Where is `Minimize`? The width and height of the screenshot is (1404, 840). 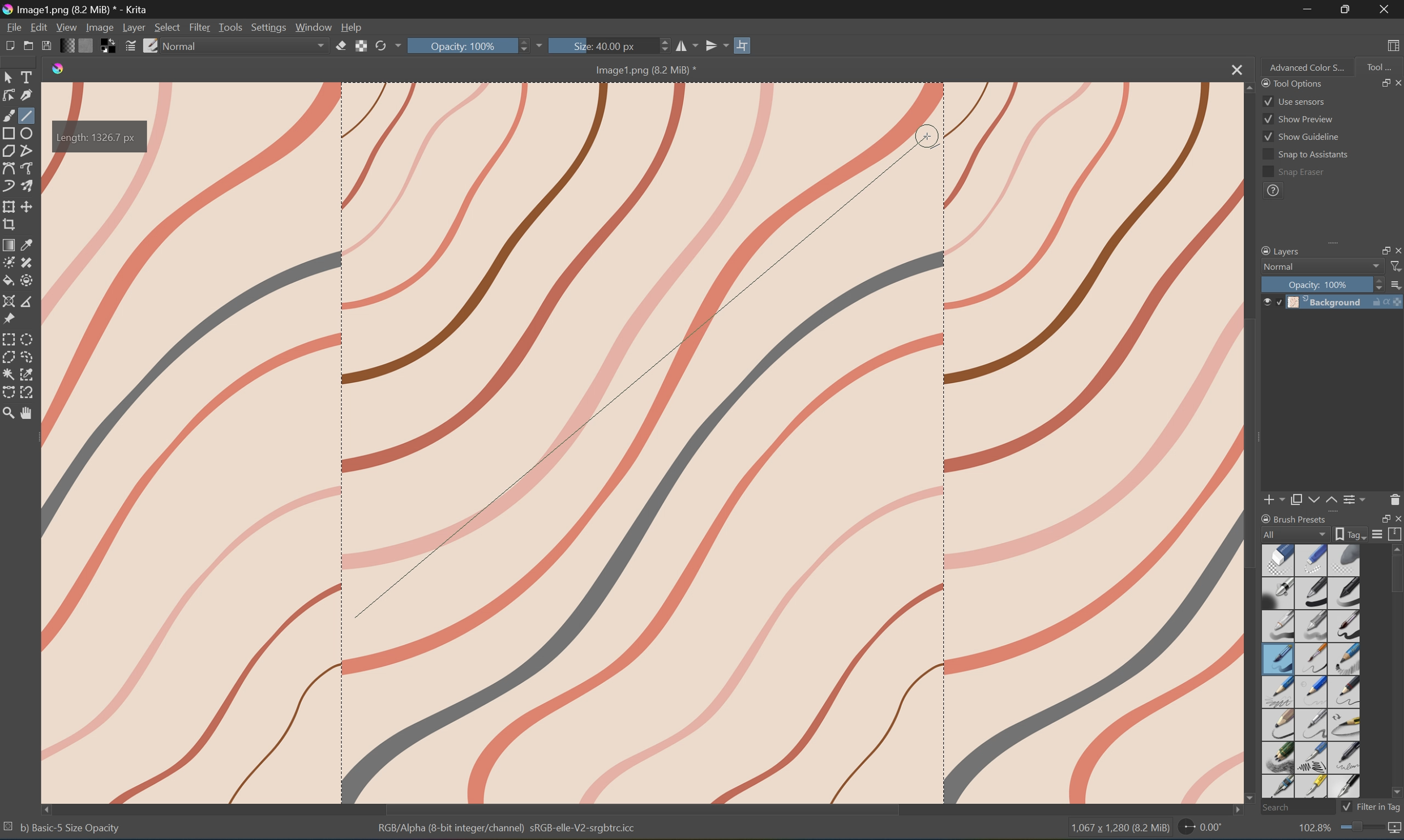
Minimize is located at coordinates (1308, 10).